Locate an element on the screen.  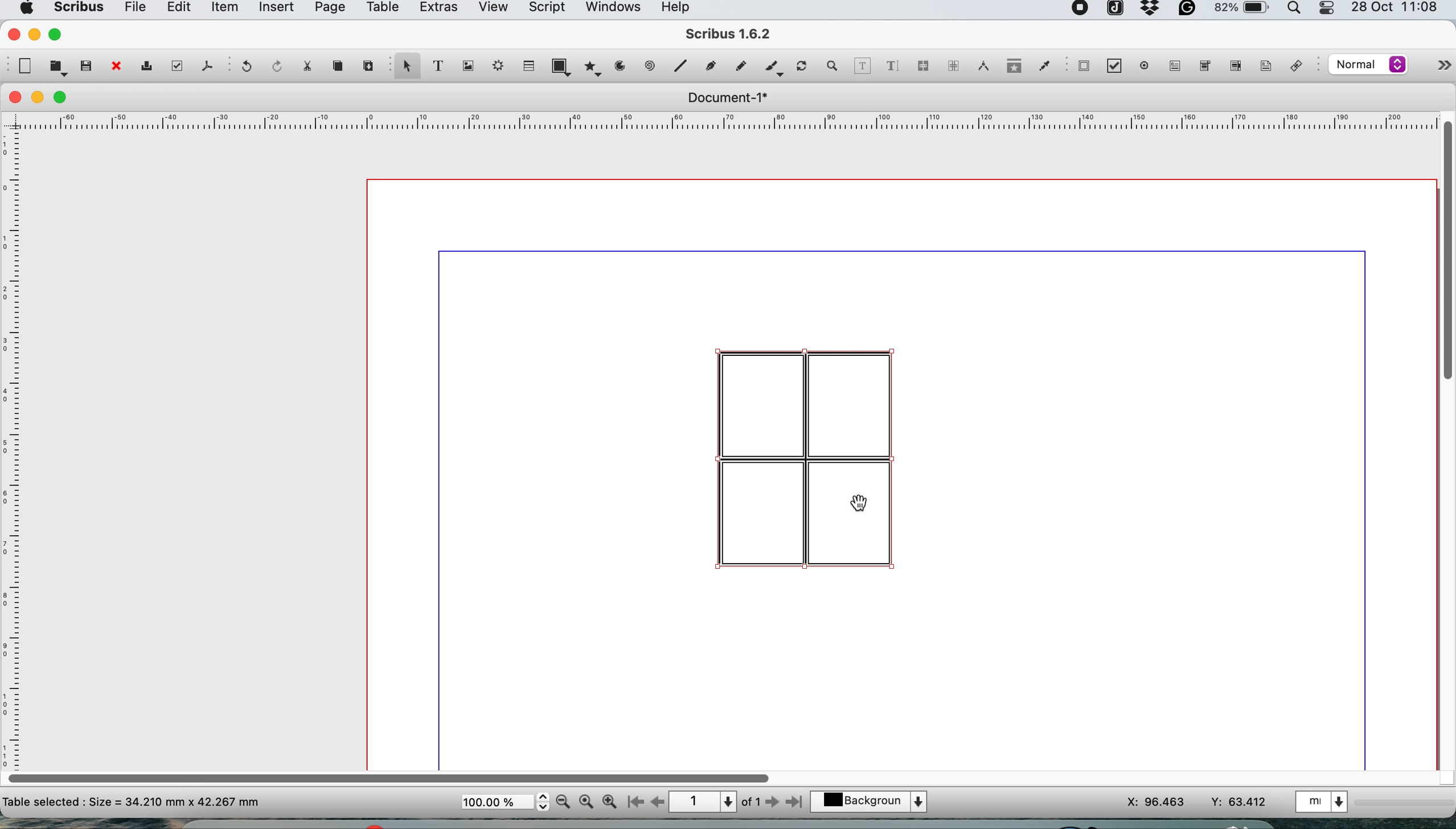
polygon is located at coordinates (595, 66).